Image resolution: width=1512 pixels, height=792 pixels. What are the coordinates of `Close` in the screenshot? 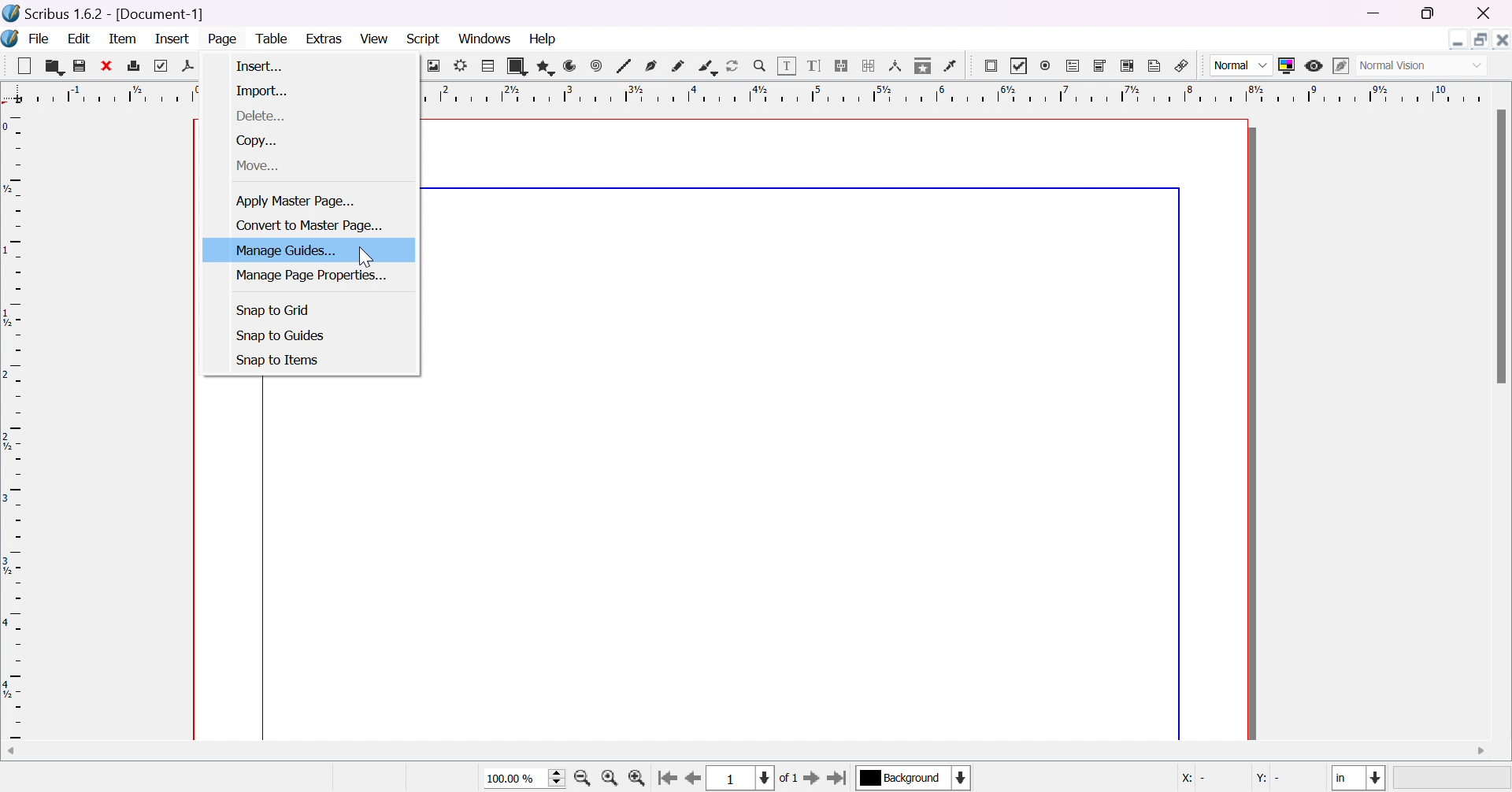 It's located at (1503, 39).